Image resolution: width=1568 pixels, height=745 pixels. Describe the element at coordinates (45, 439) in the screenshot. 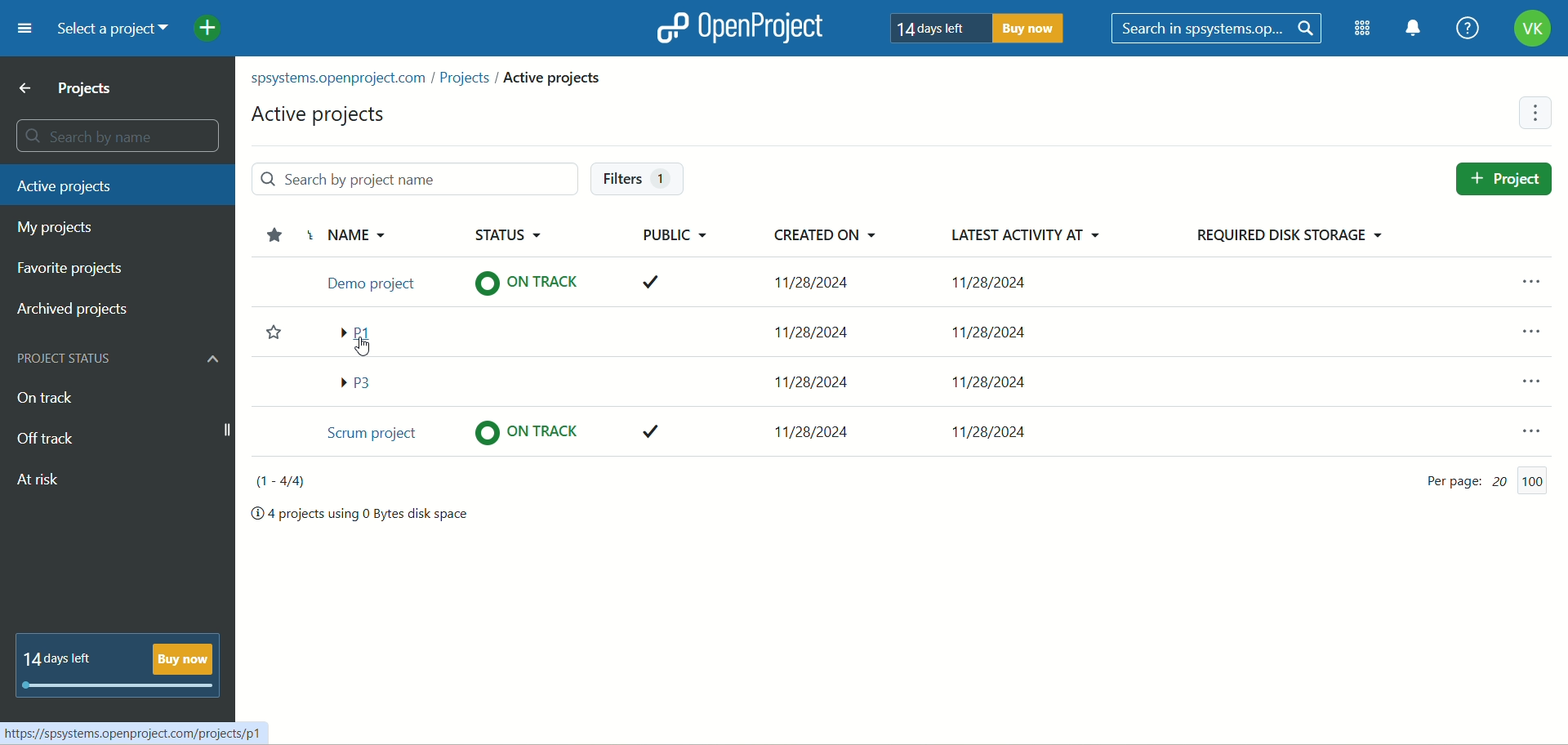

I see `off track` at that location.